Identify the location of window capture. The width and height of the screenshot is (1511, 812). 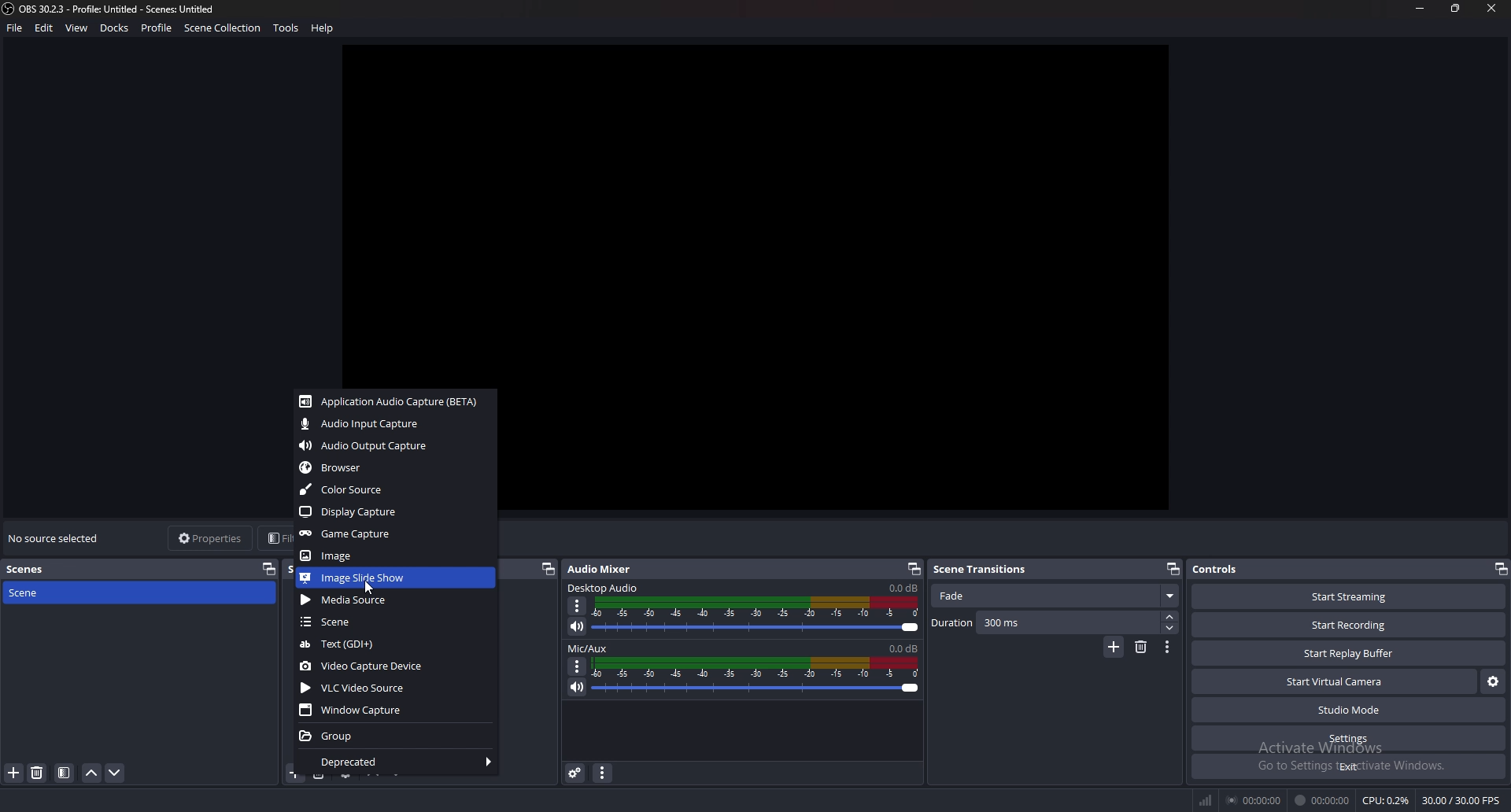
(397, 710).